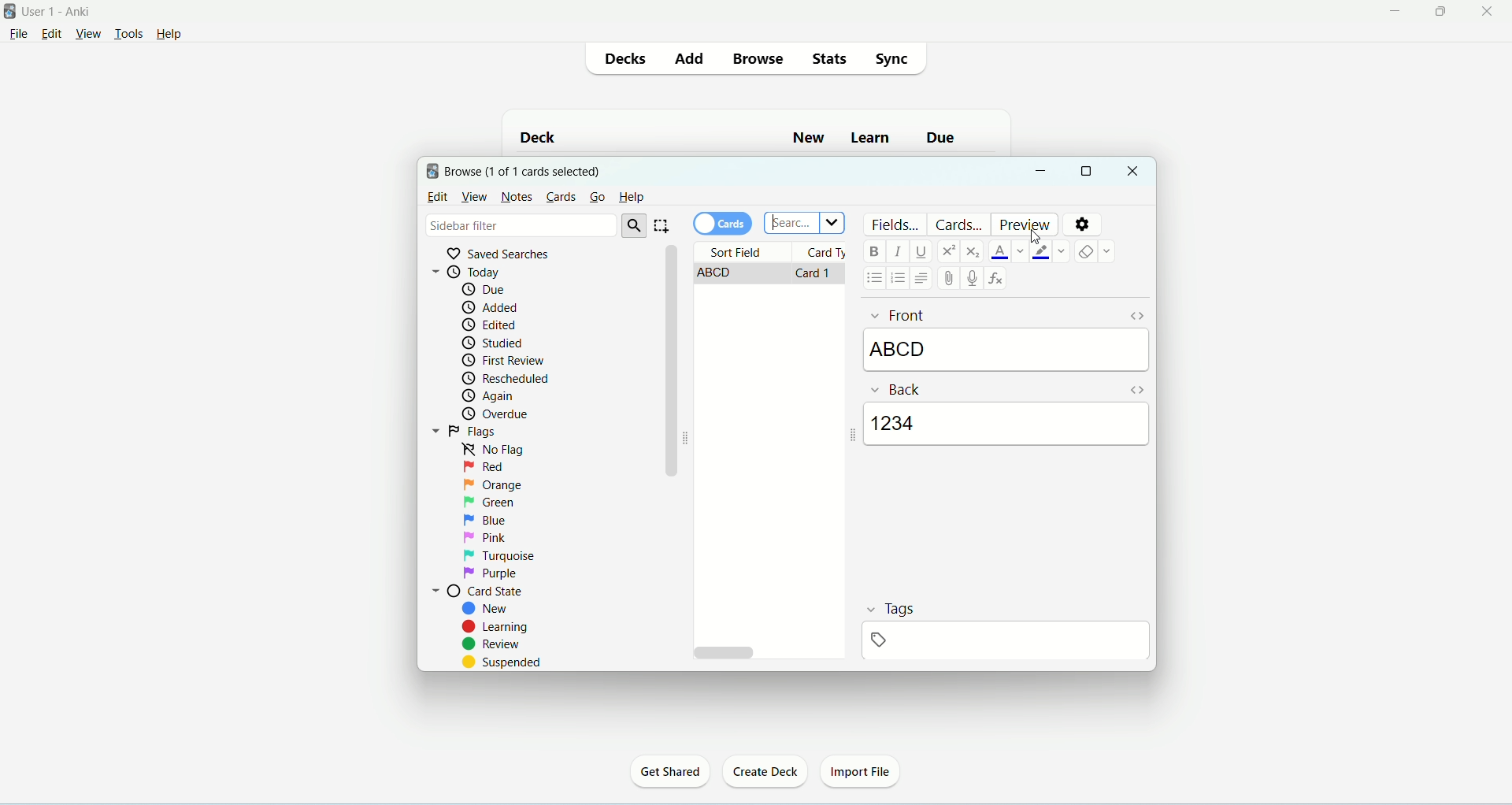  What do you see at coordinates (517, 197) in the screenshot?
I see `notes` at bounding box center [517, 197].